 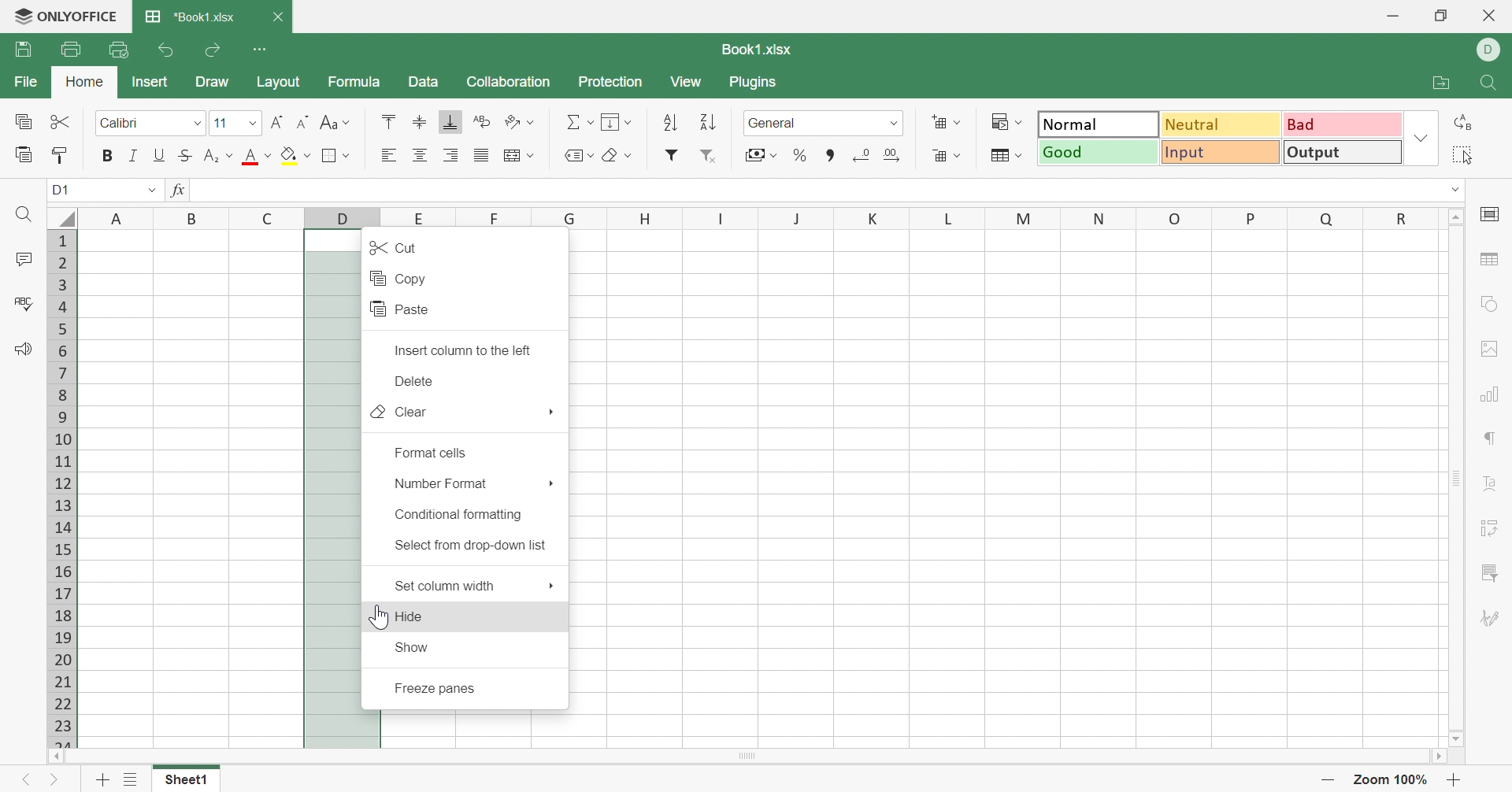 I want to click on General, so click(x=776, y=121).